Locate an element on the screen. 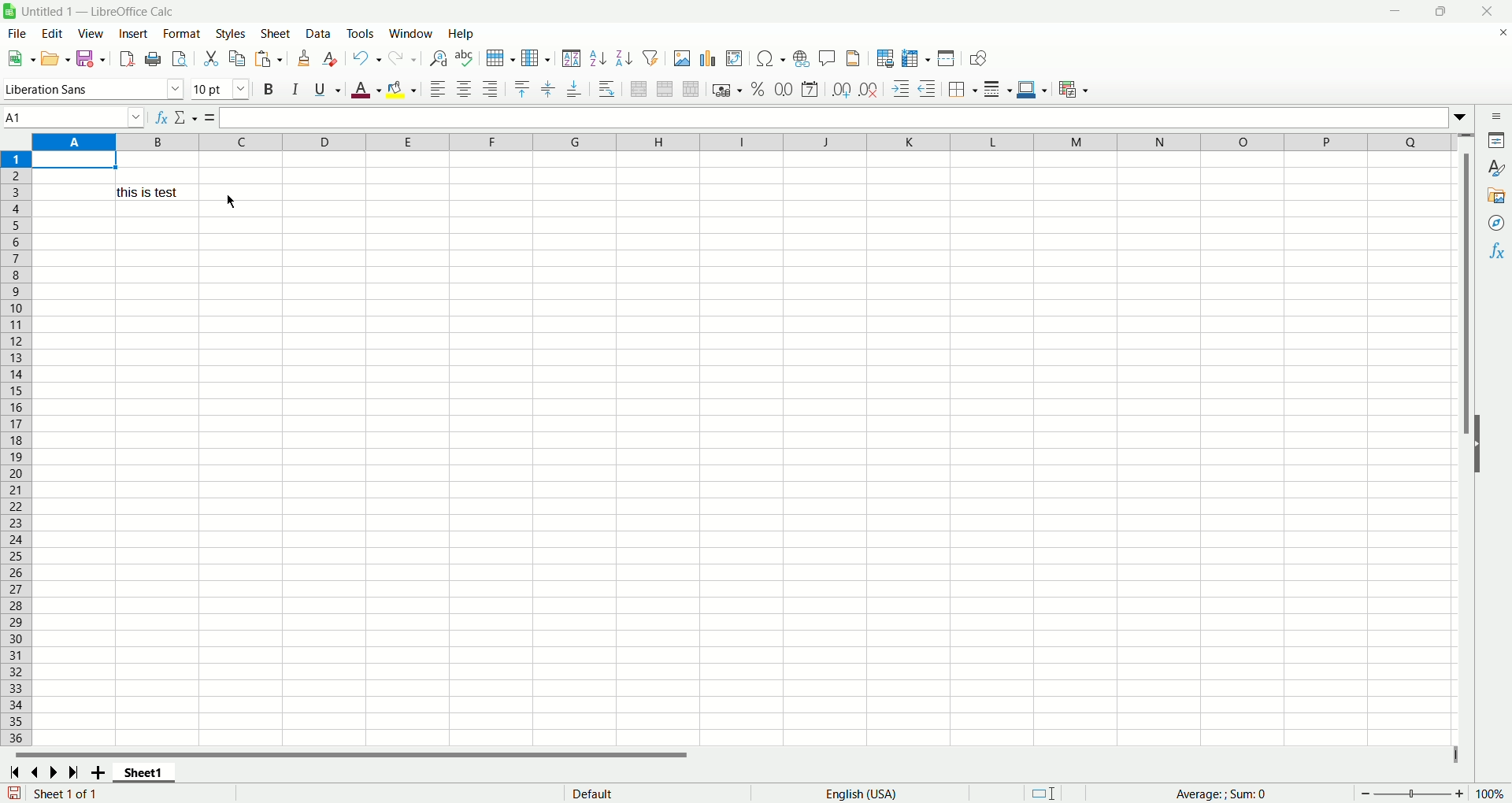 This screenshot has height=803, width=1512. siderbar settings is located at coordinates (1499, 117).